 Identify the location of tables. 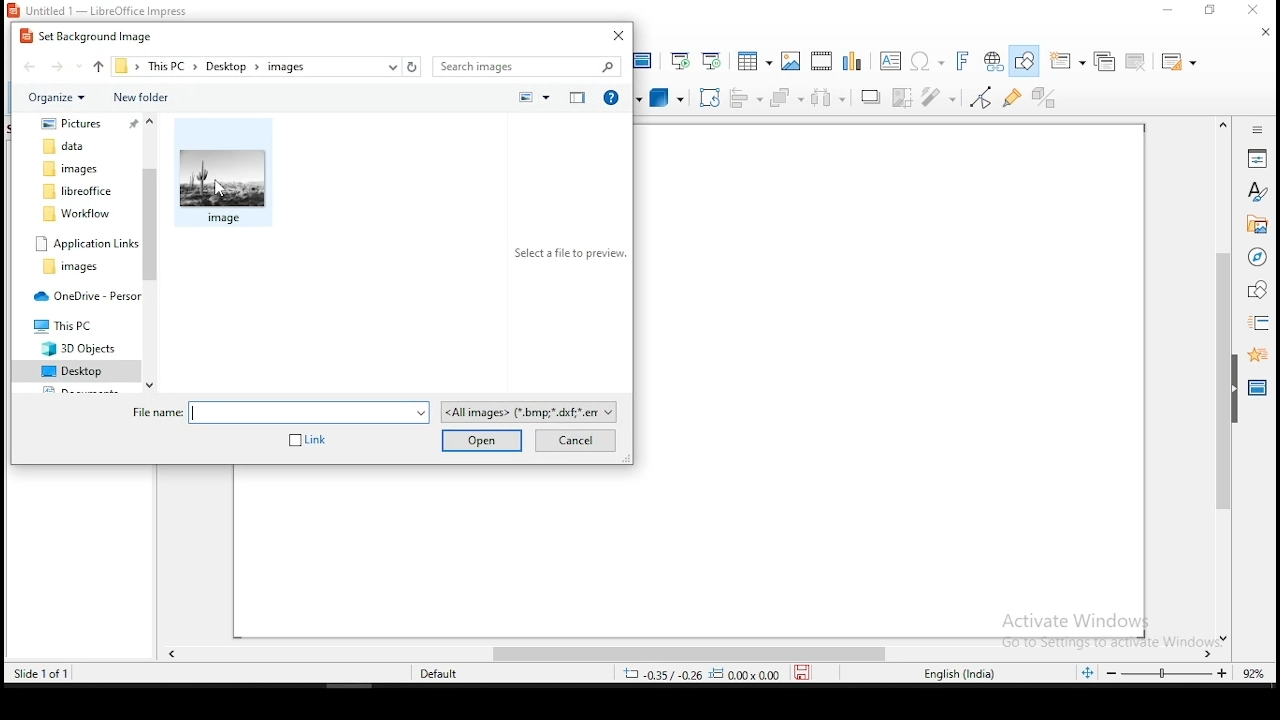
(754, 59).